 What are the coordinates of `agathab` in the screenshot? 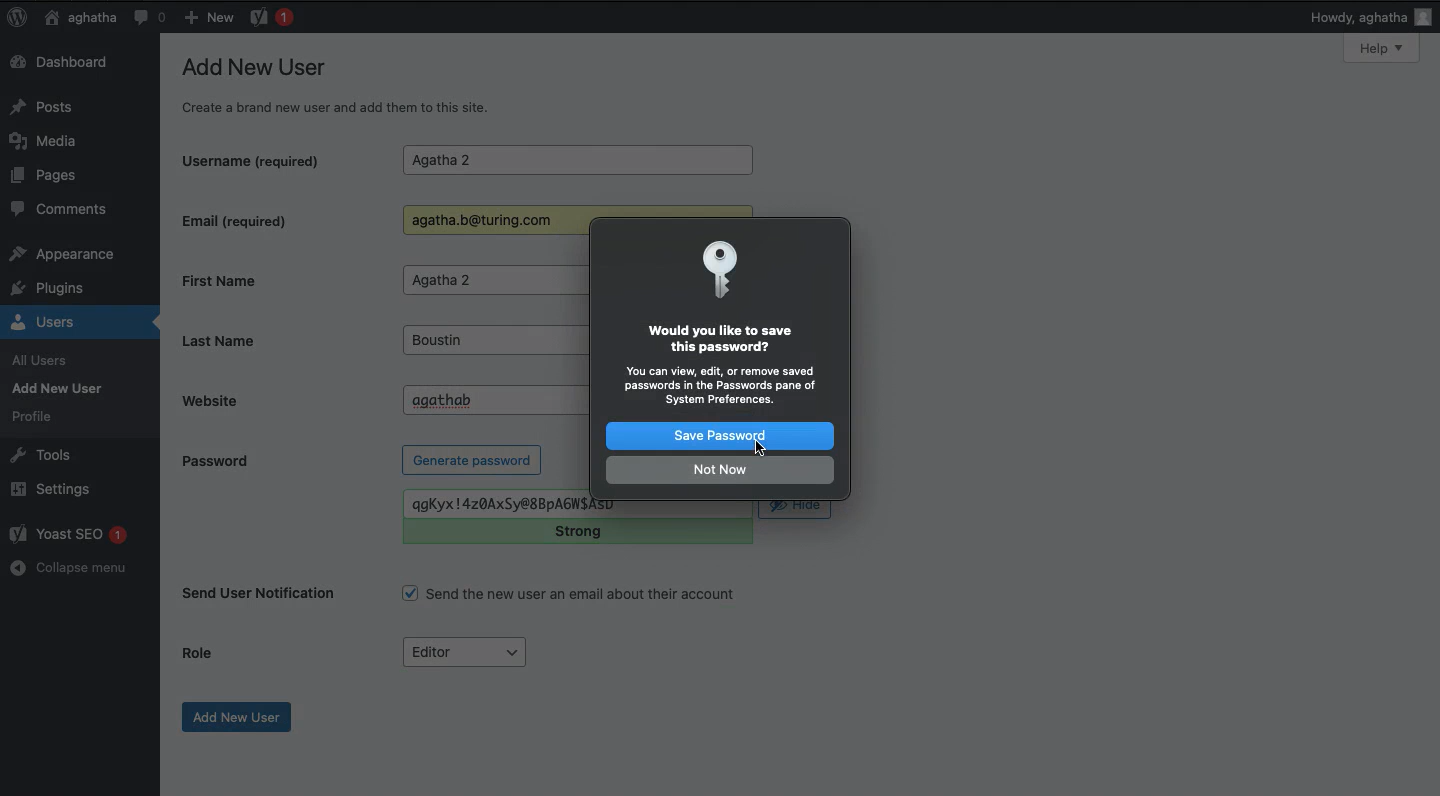 It's located at (497, 397).